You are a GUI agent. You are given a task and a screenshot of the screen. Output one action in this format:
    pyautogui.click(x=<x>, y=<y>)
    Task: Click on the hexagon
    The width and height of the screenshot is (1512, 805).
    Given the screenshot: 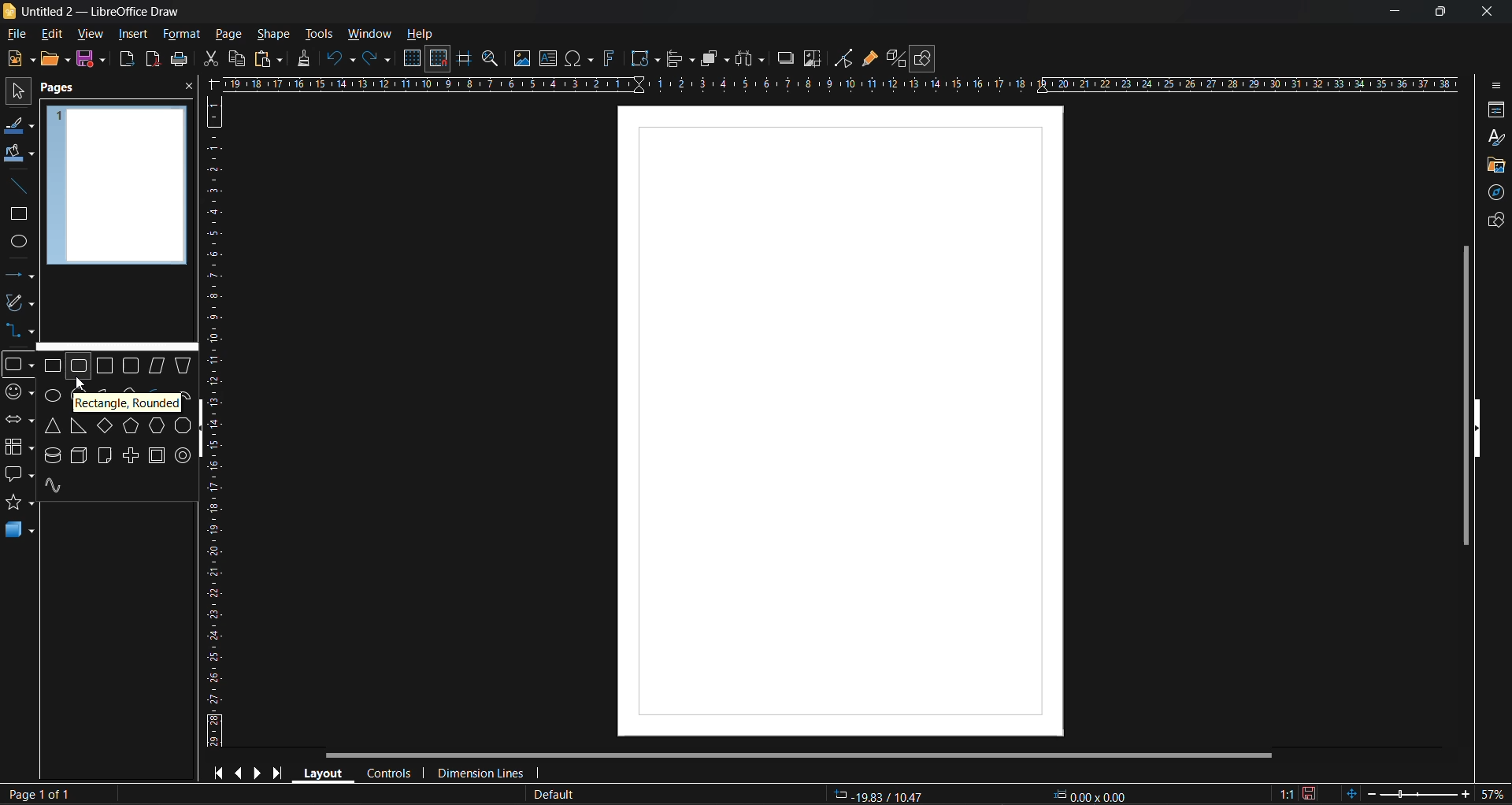 What is the action you would take?
    pyautogui.click(x=156, y=425)
    